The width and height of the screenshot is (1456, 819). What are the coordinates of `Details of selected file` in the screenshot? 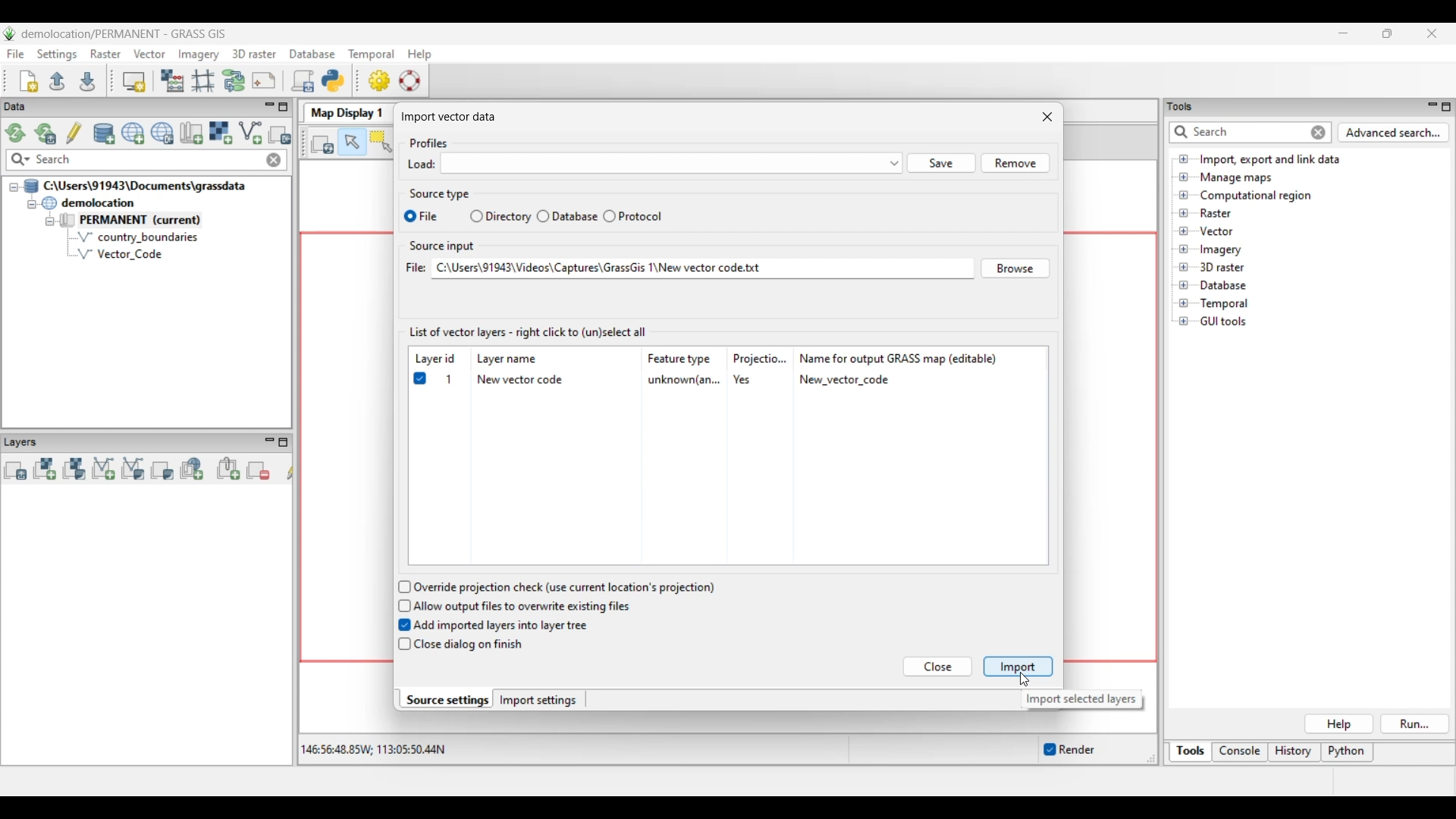 It's located at (673, 380).